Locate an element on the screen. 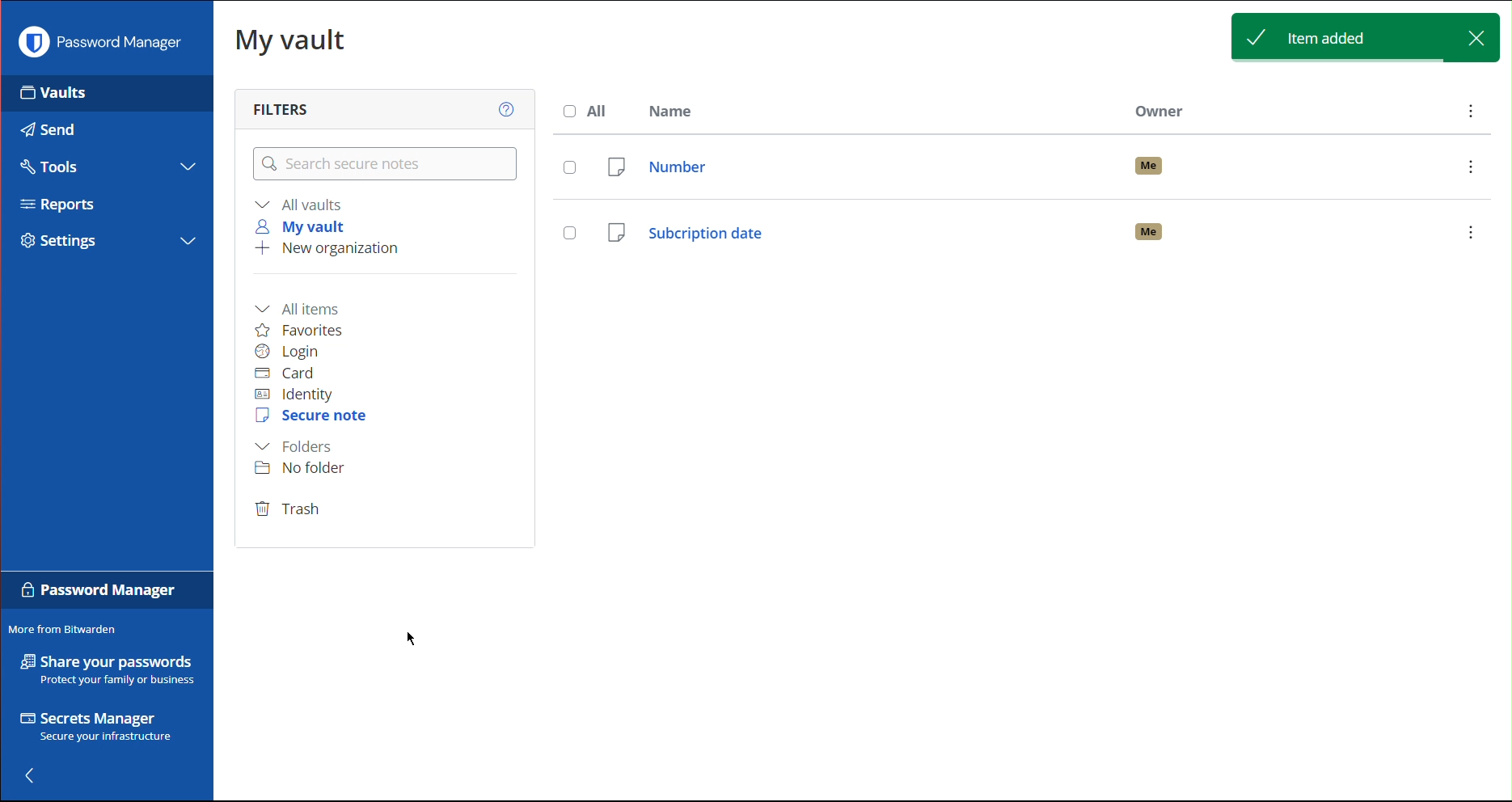  Send is located at coordinates (44, 125).